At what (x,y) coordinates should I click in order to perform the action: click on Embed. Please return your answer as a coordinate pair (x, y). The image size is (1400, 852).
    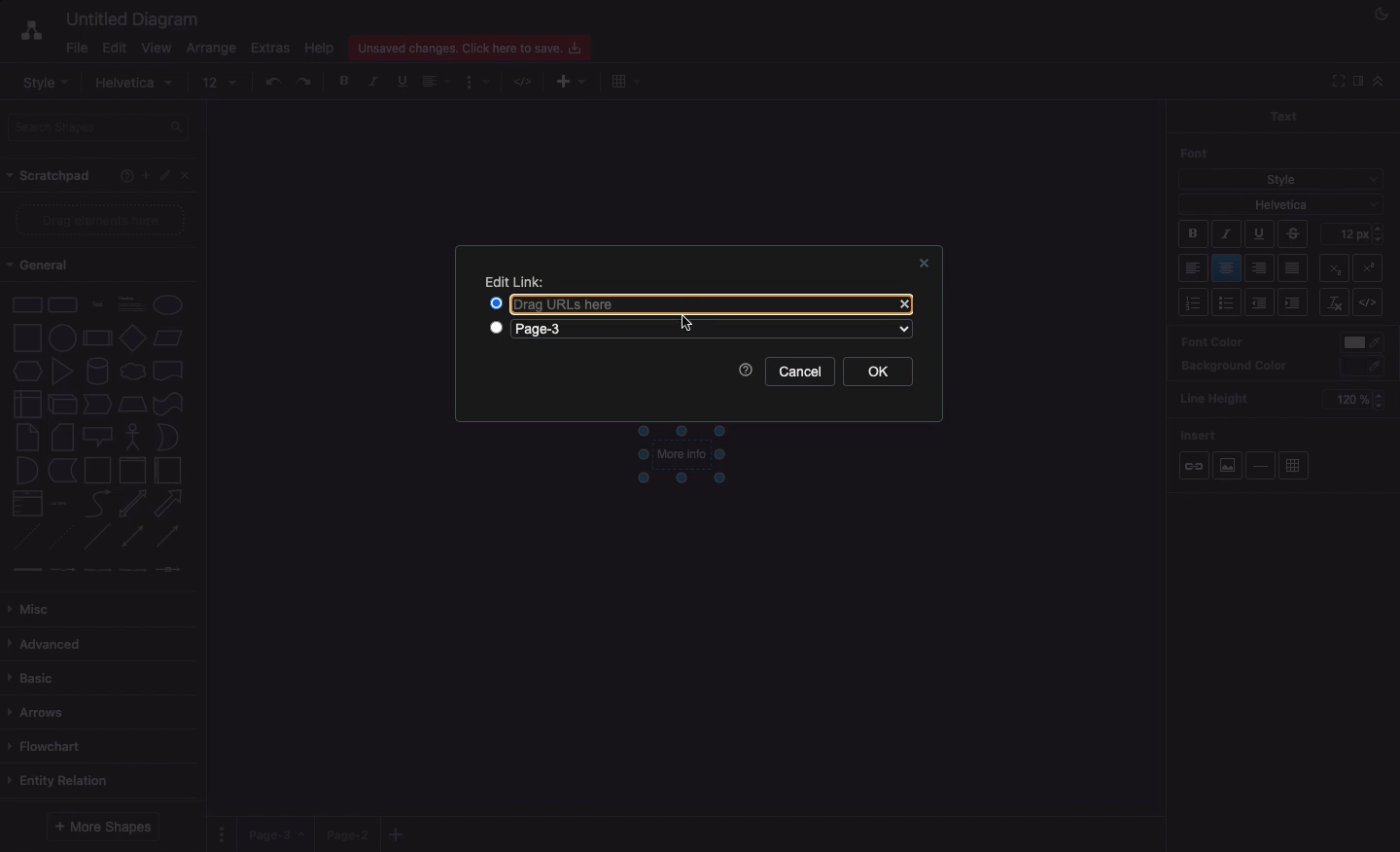
    Looking at the image, I should click on (1373, 303).